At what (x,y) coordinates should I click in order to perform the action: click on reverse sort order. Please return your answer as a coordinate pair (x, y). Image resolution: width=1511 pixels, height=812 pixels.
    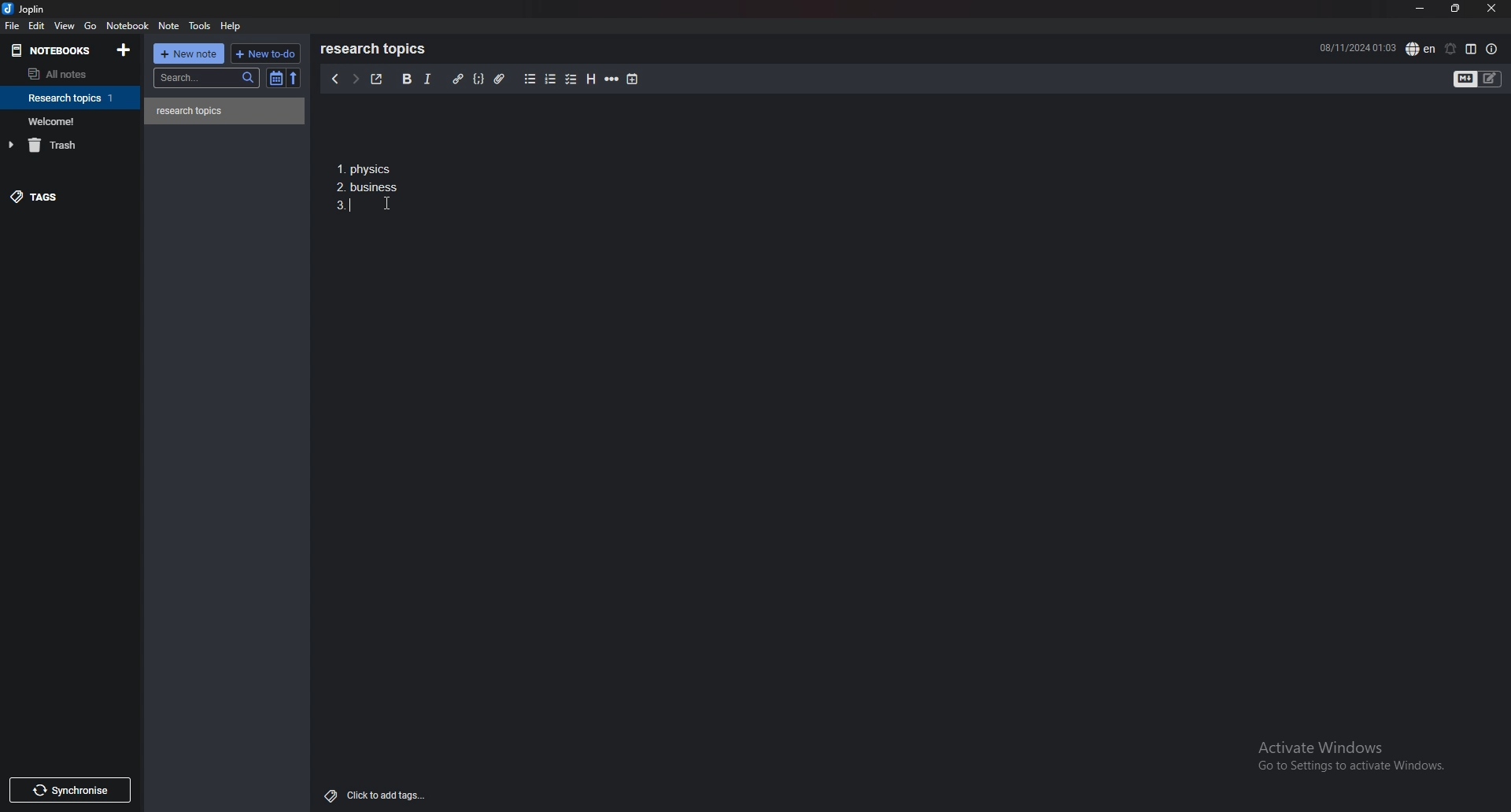
    Looking at the image, I should click on (293, 78).